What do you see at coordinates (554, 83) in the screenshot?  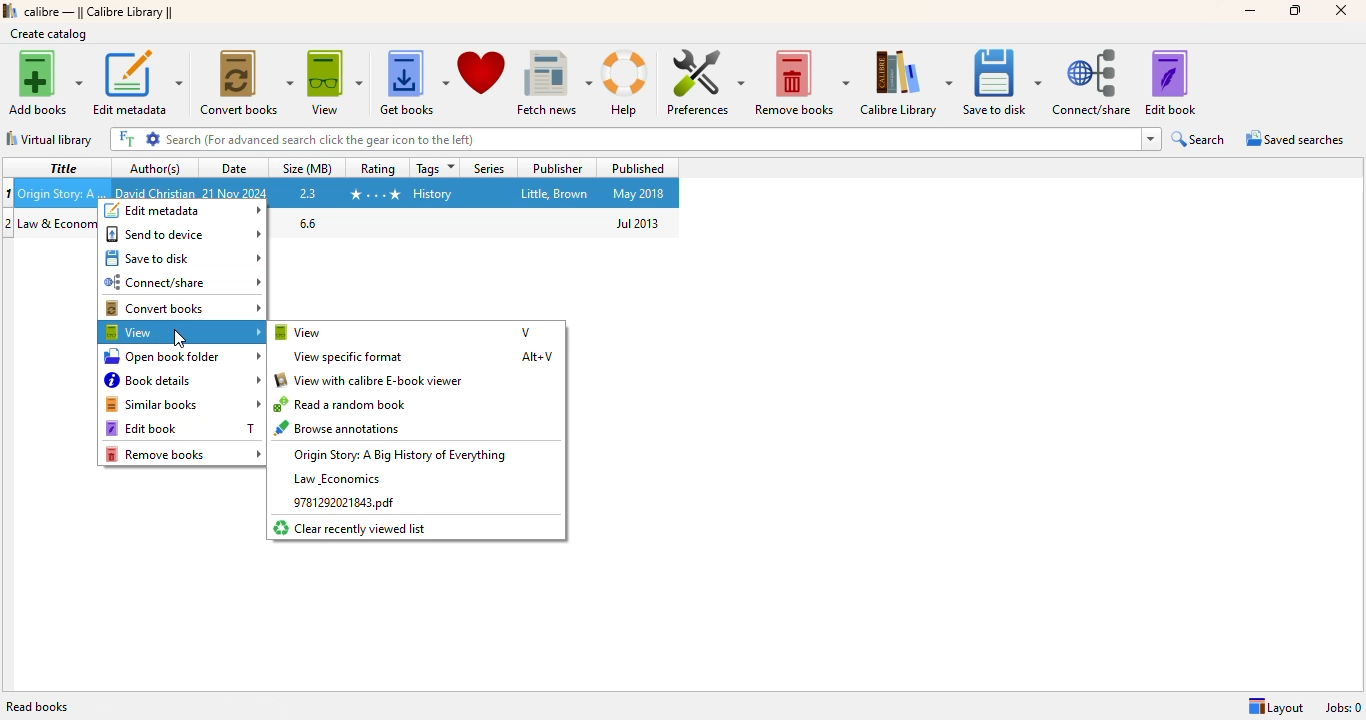 I see `fetch news` at bounding box center [554, 83].